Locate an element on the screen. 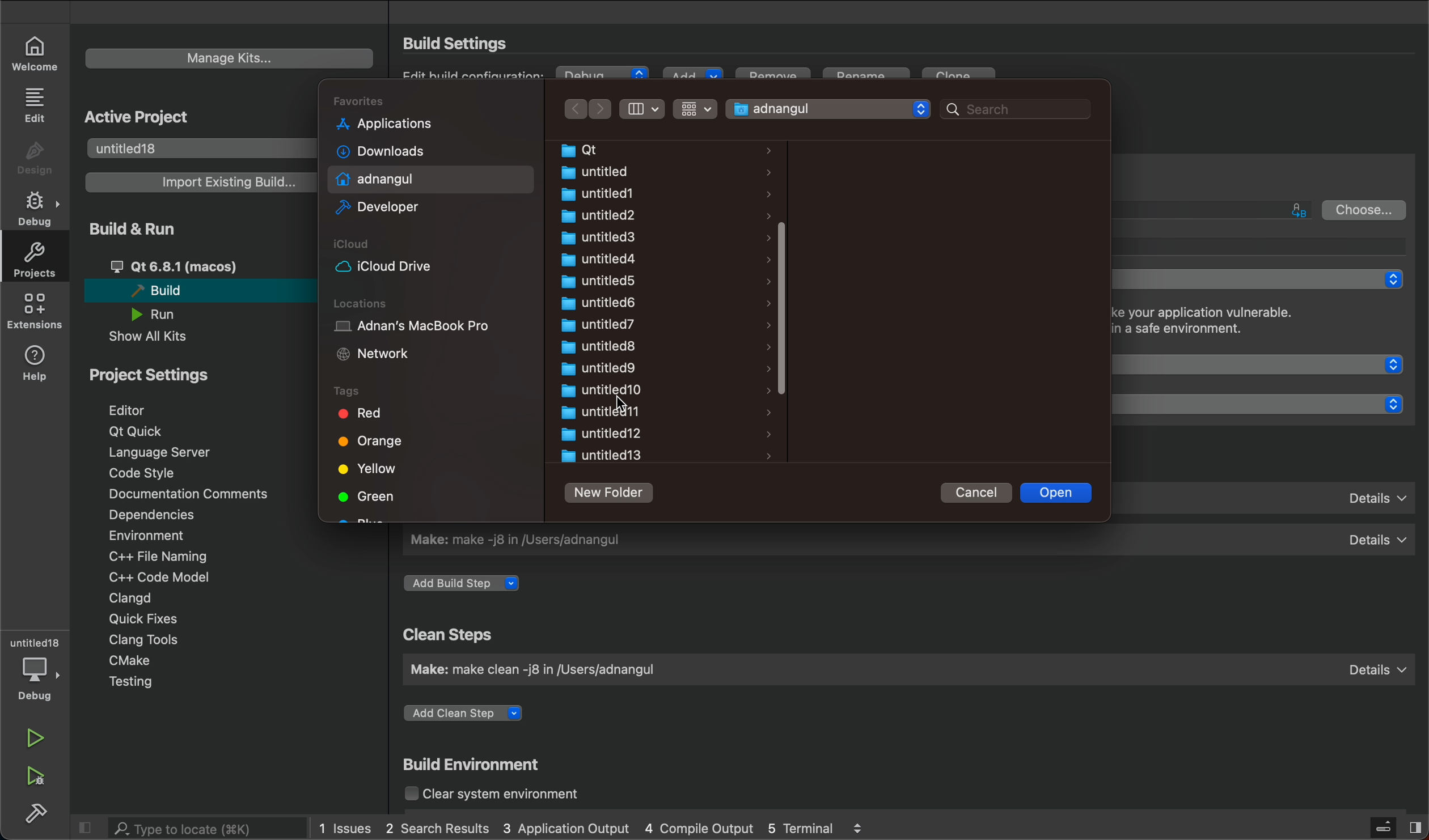 The height and width of the screenshot is (840, 1429). welcome is located at coordinates (35, 50).